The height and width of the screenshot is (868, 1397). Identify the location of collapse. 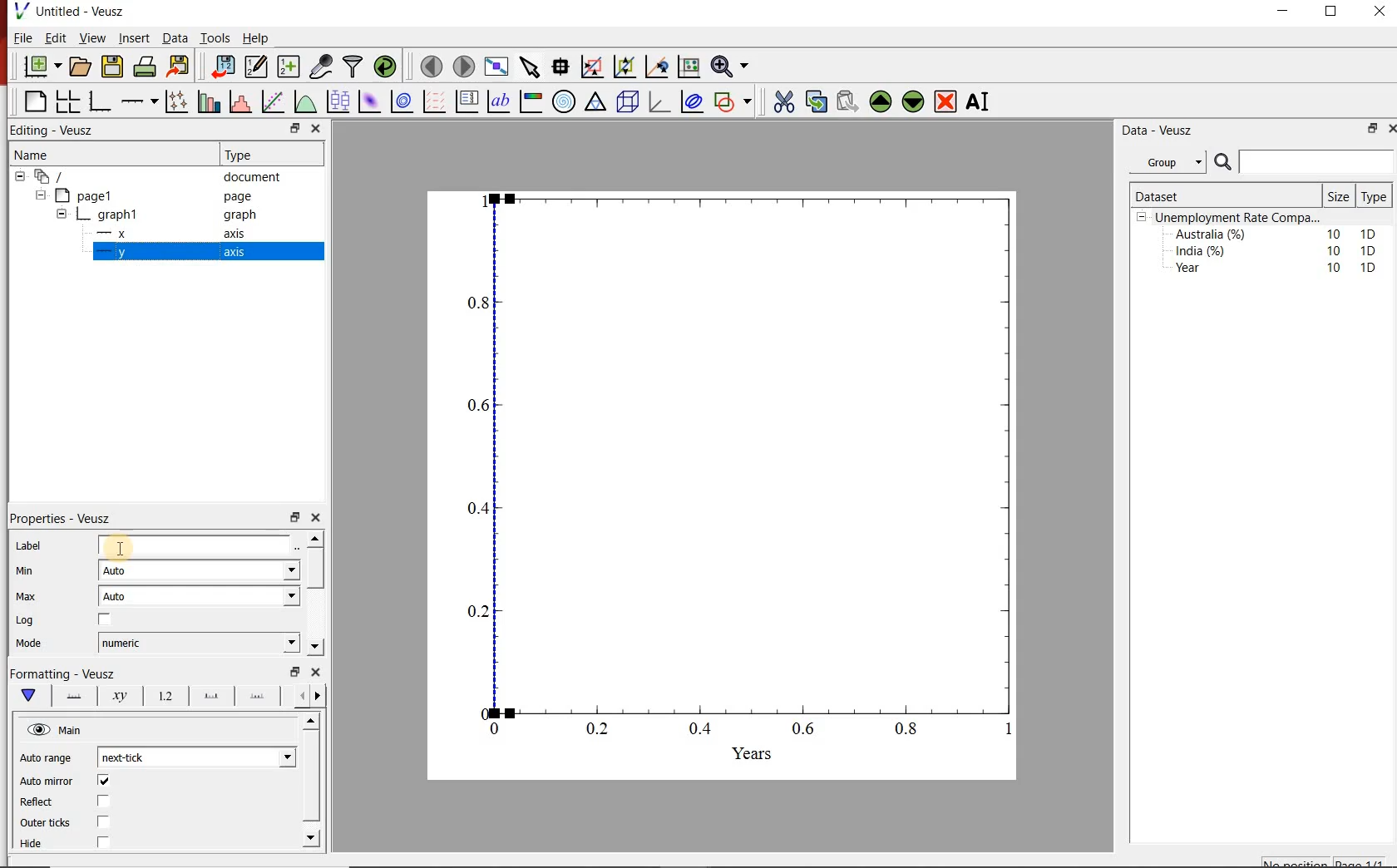
(61, 216).